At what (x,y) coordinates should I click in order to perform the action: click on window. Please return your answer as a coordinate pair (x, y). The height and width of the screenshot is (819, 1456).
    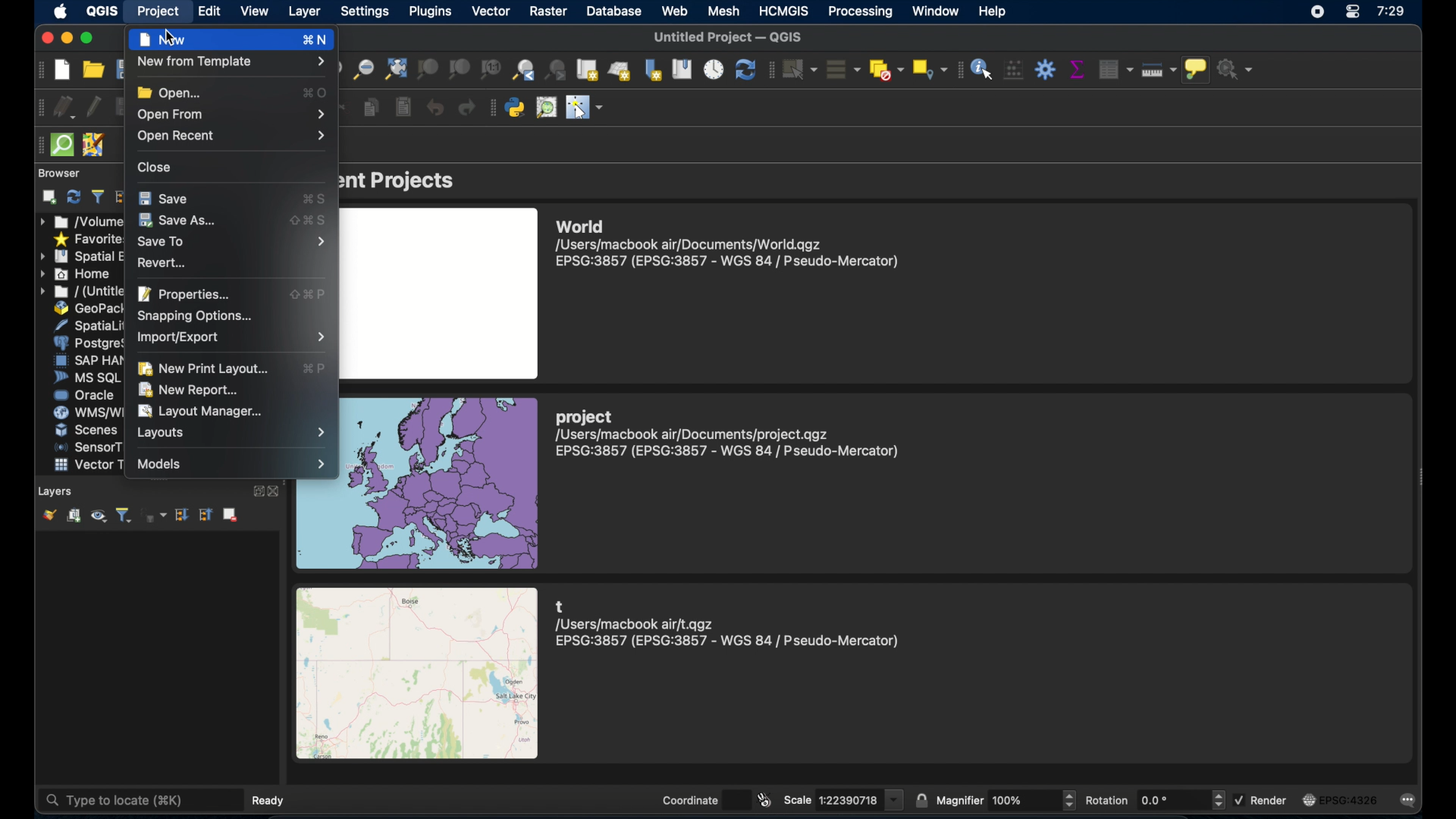
    Looking at the image, I should click on (937, 11).